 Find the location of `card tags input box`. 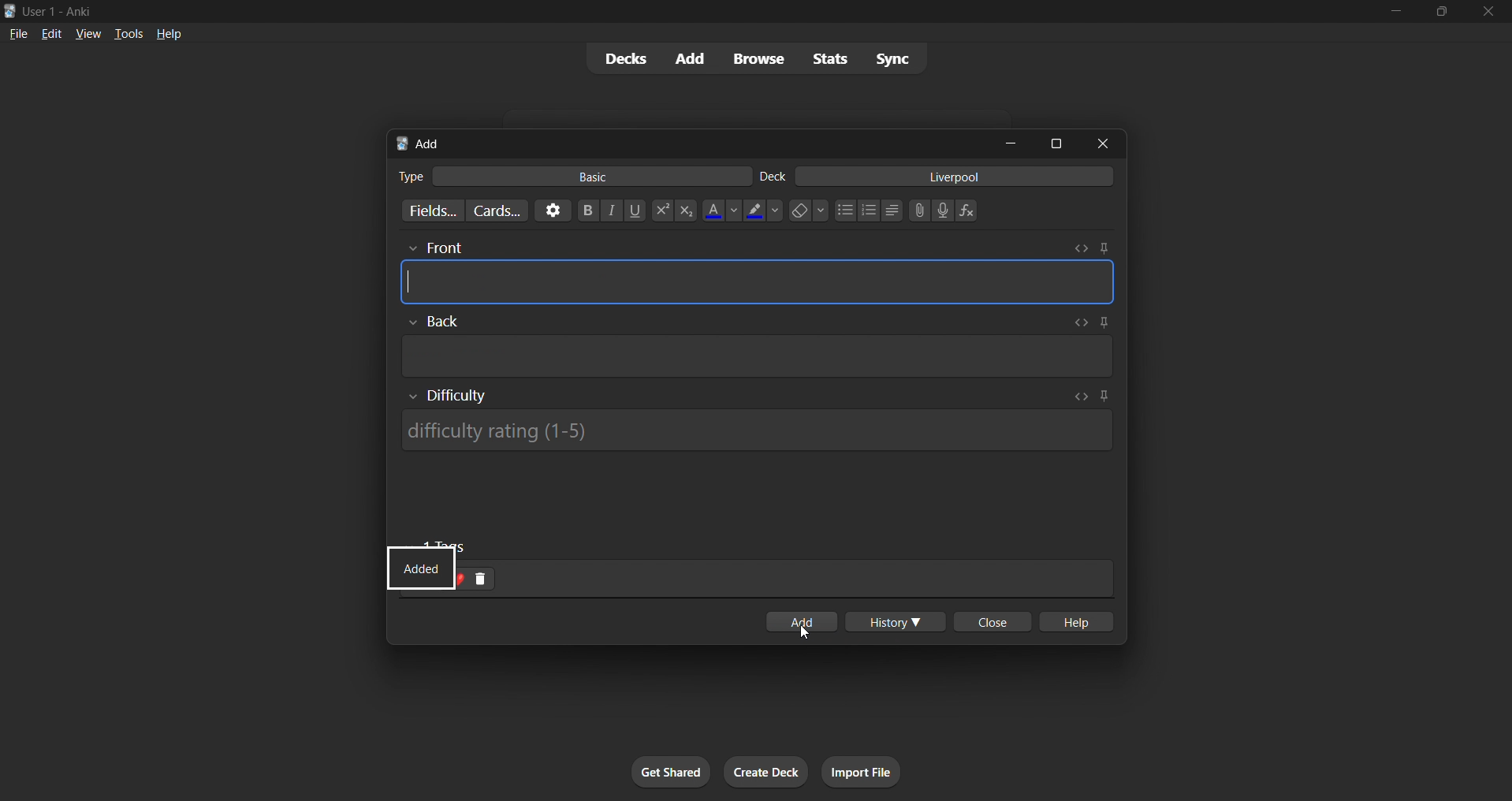

card tags input box is located at coordinates (791, 572).